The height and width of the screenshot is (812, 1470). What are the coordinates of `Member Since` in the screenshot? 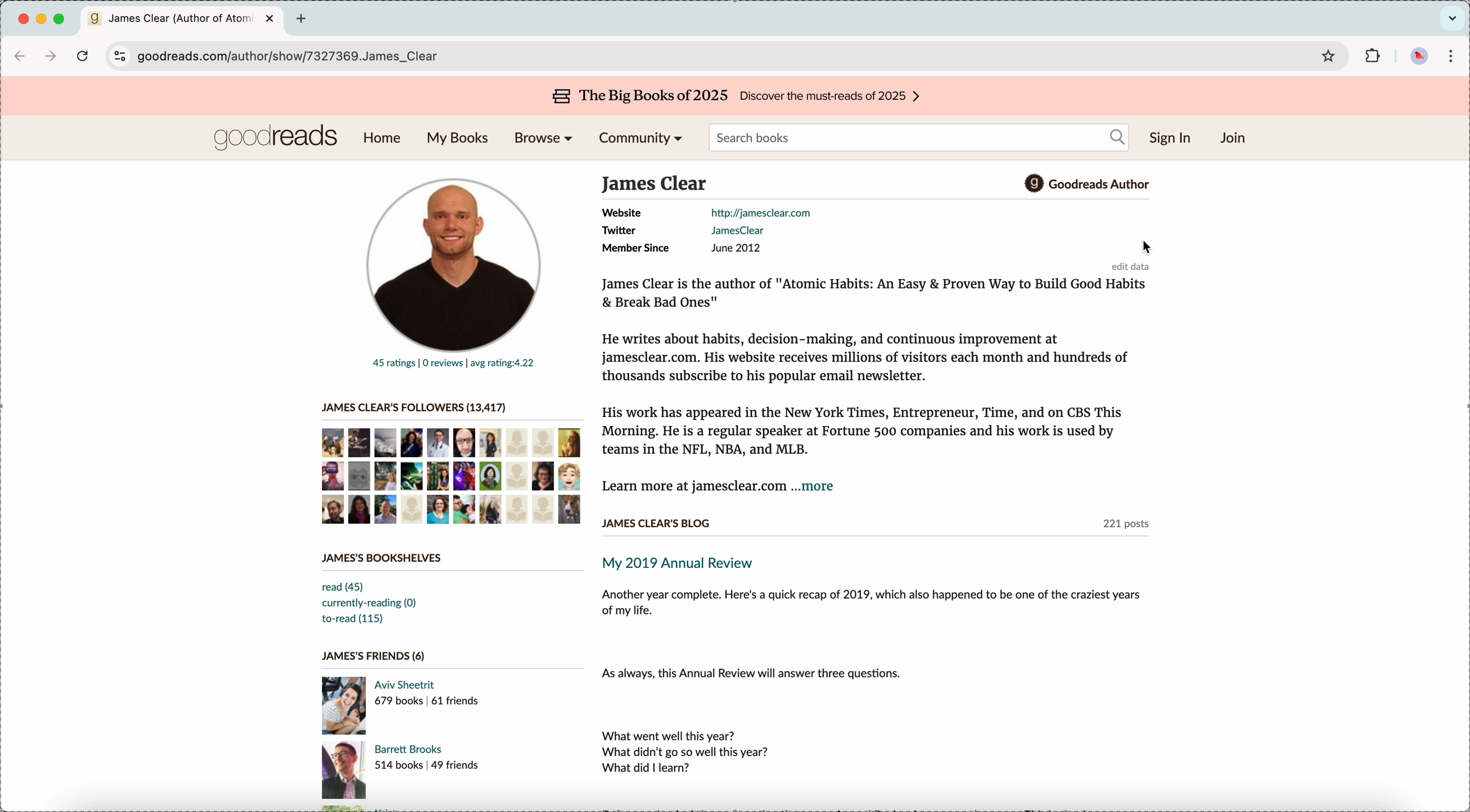 It's located at (635, 249).